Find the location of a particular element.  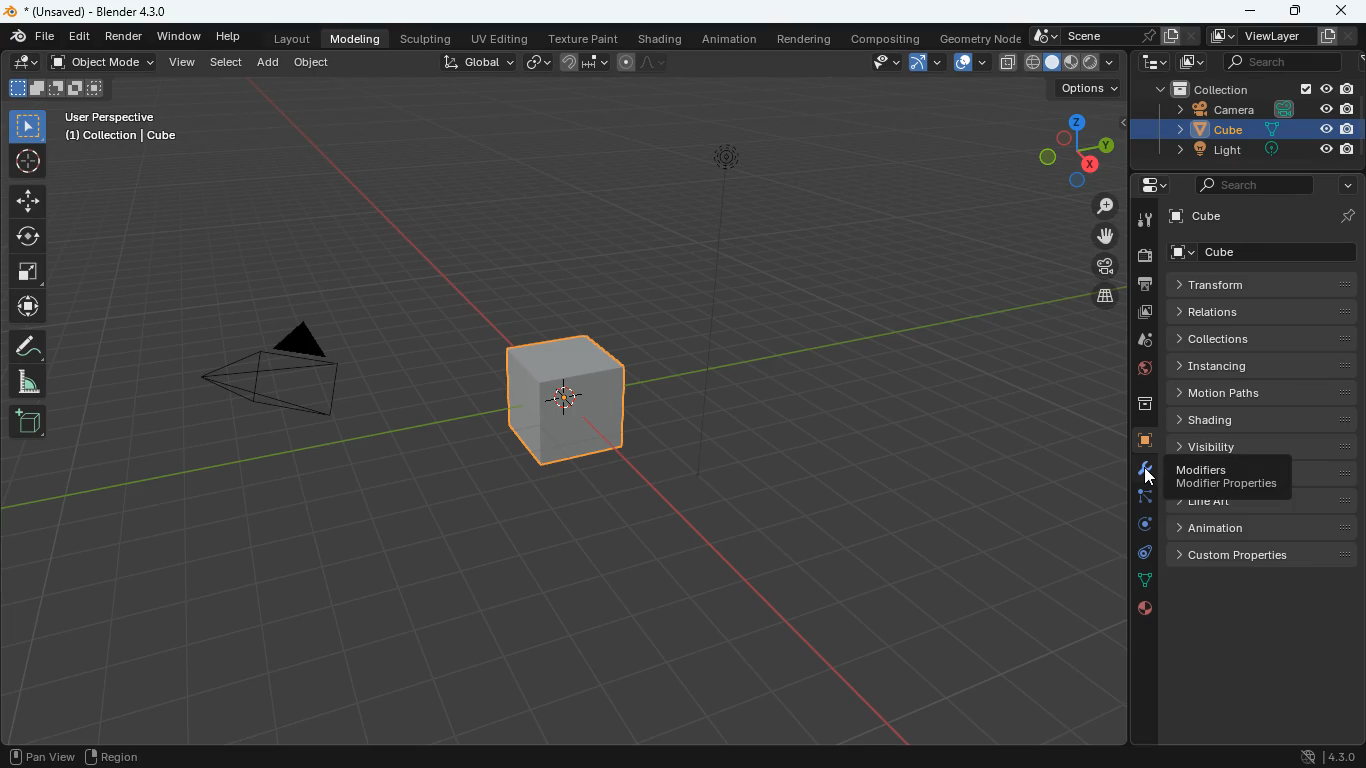

motion paths is located at coordinates (1264, 393).